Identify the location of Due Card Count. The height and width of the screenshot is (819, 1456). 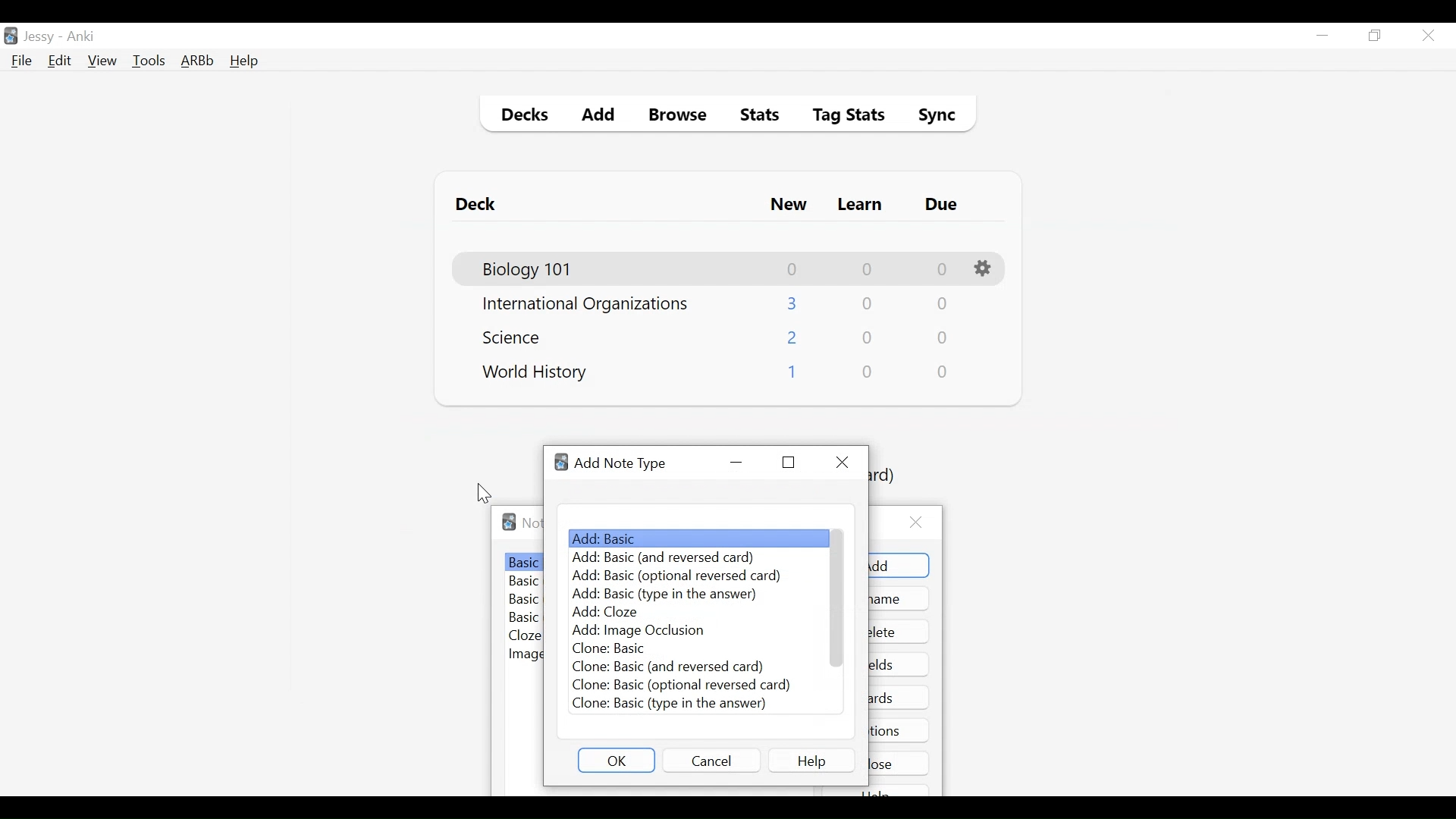
(941, 306).